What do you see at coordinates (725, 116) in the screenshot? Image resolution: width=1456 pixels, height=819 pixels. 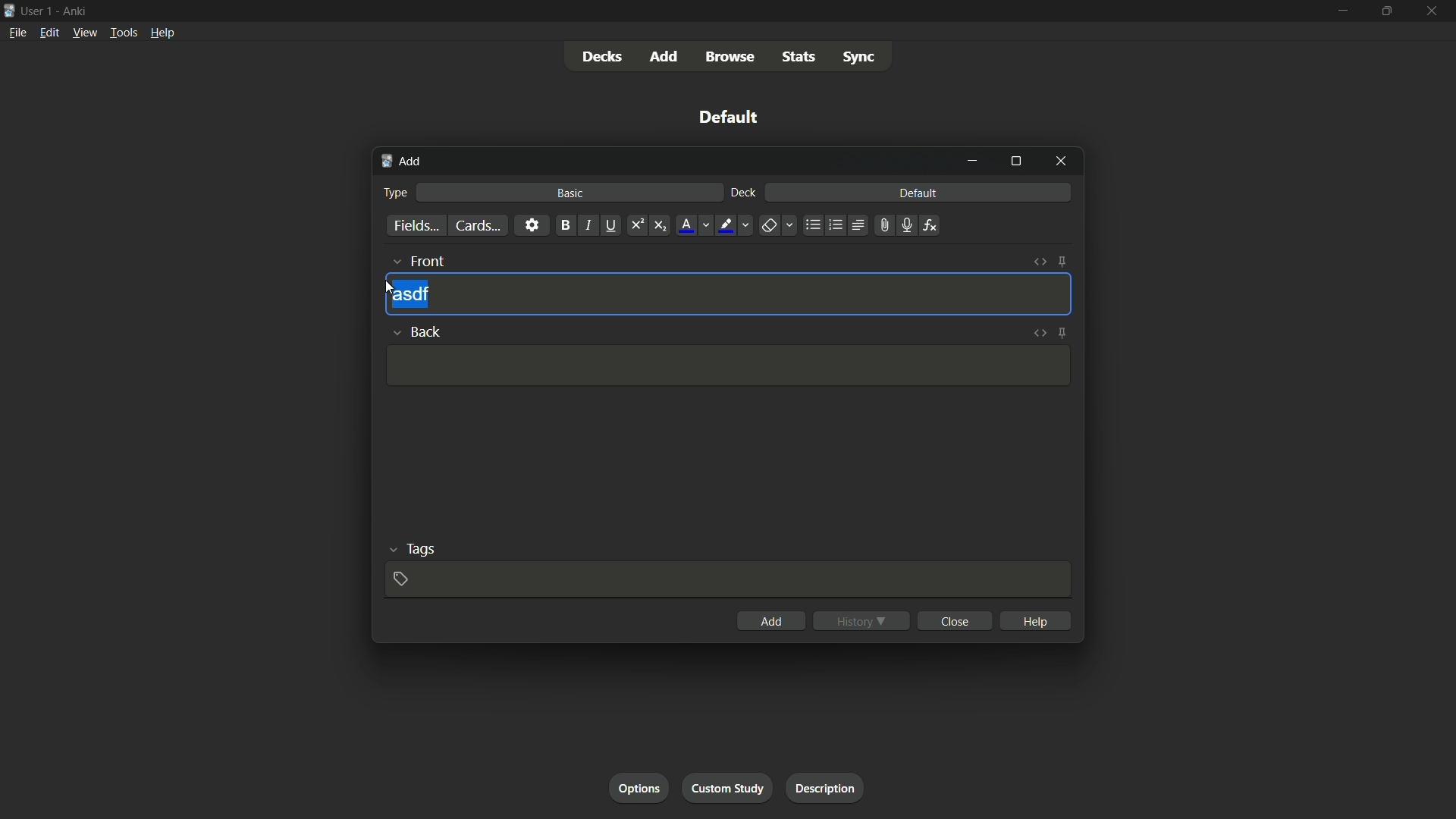 I see `default` at bounding box center [725, 116].